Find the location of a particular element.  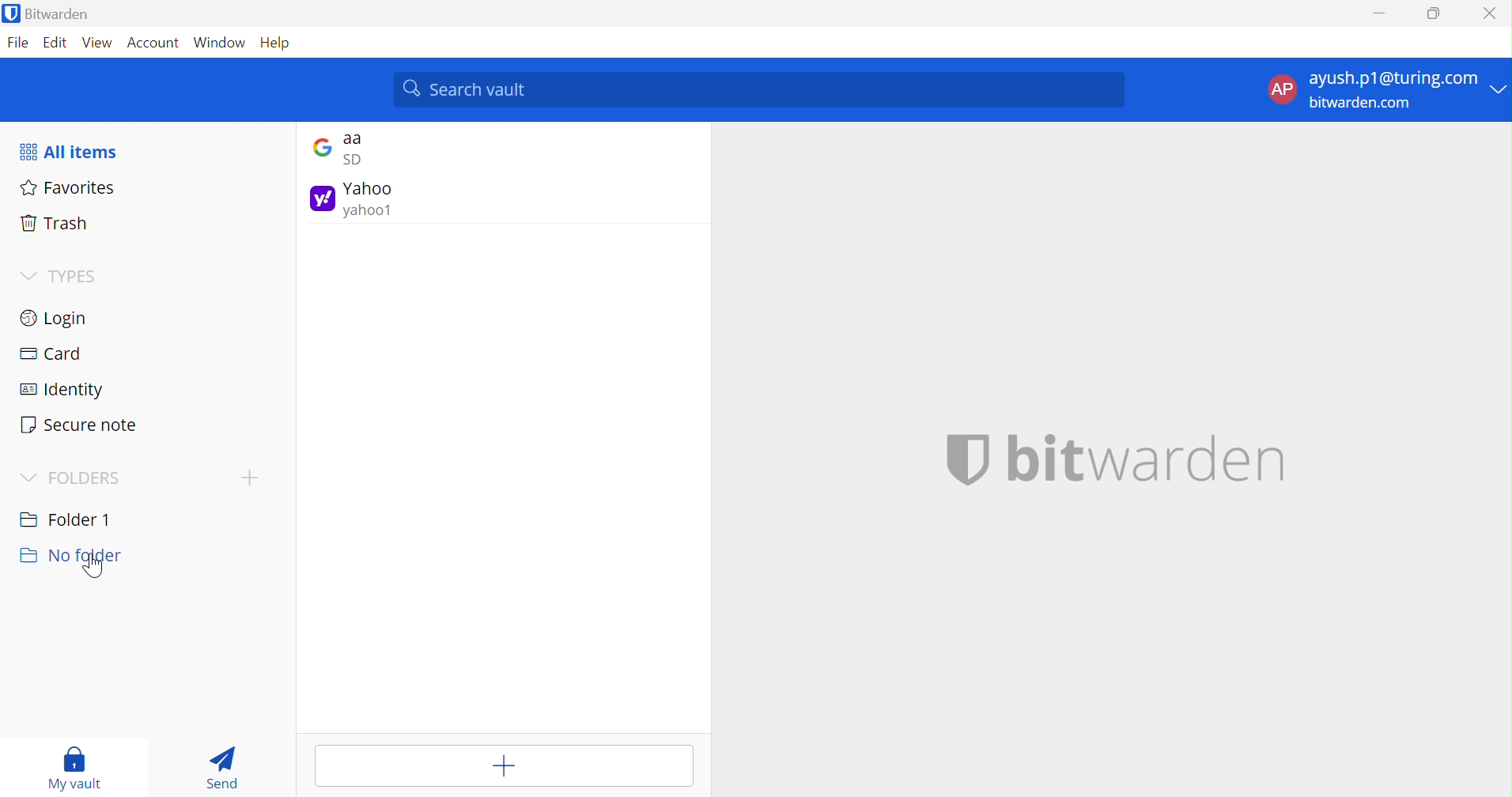

Account is located at coordinates (156, 42).